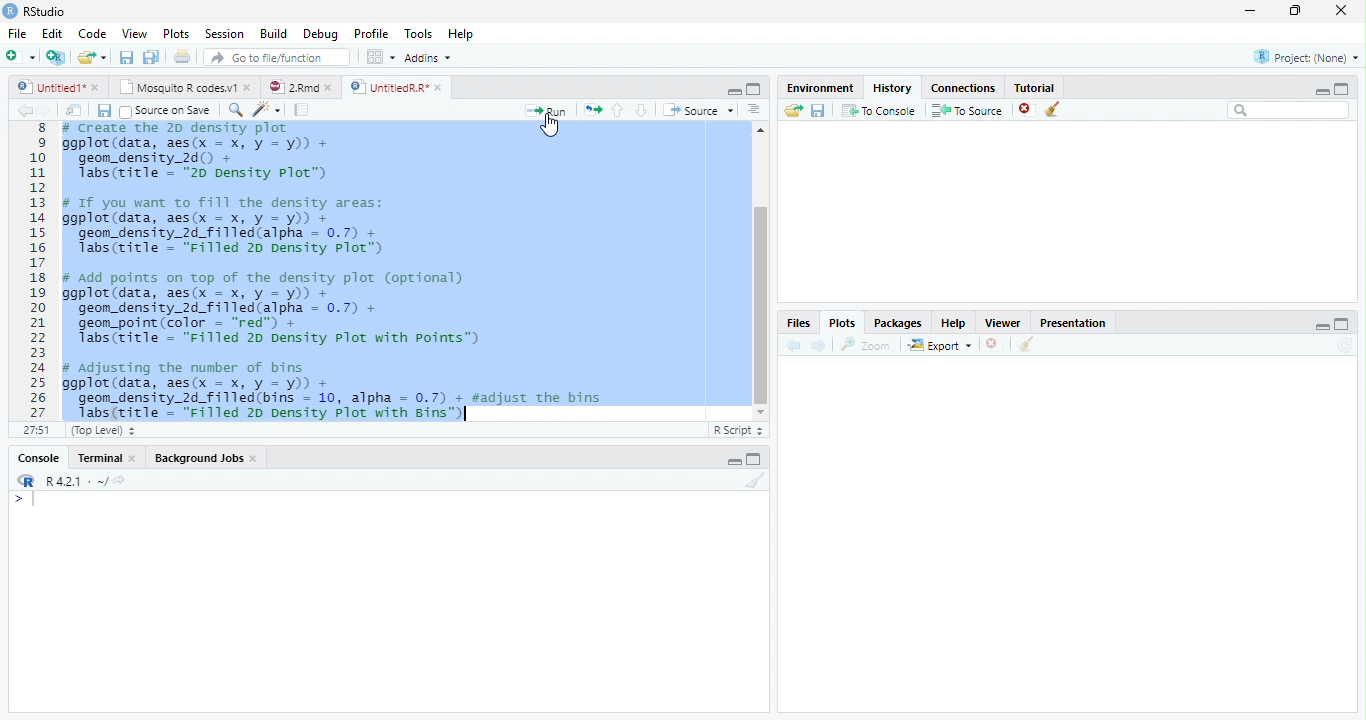 Image resolution: width=1366 pixels, height=720 pixels. Describe the element at coordinates (225, 34) in the screenshot. I see `Session` at that location.